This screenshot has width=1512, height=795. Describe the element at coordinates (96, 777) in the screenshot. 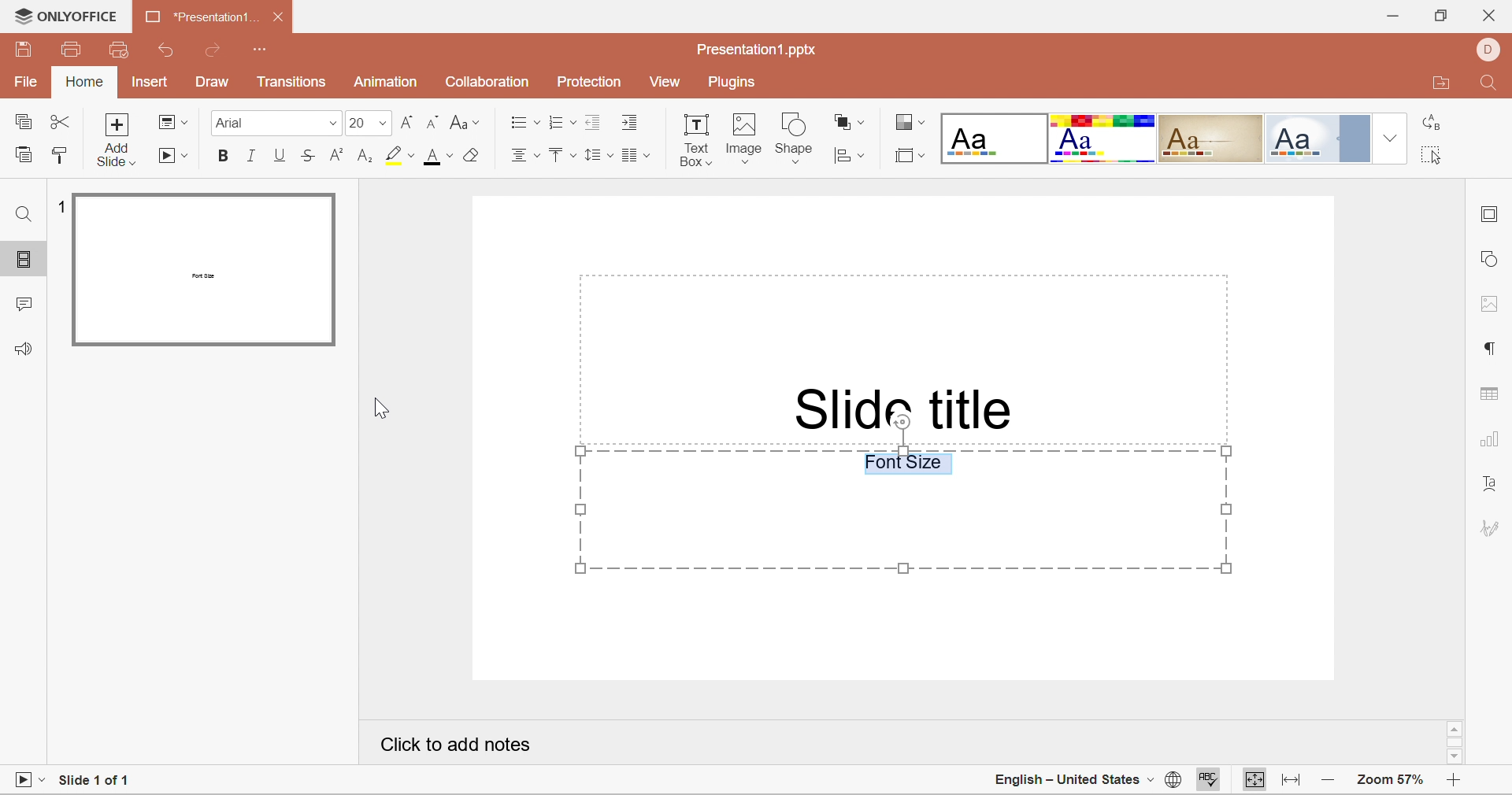

I see `Slide 1 of 1` at that location.